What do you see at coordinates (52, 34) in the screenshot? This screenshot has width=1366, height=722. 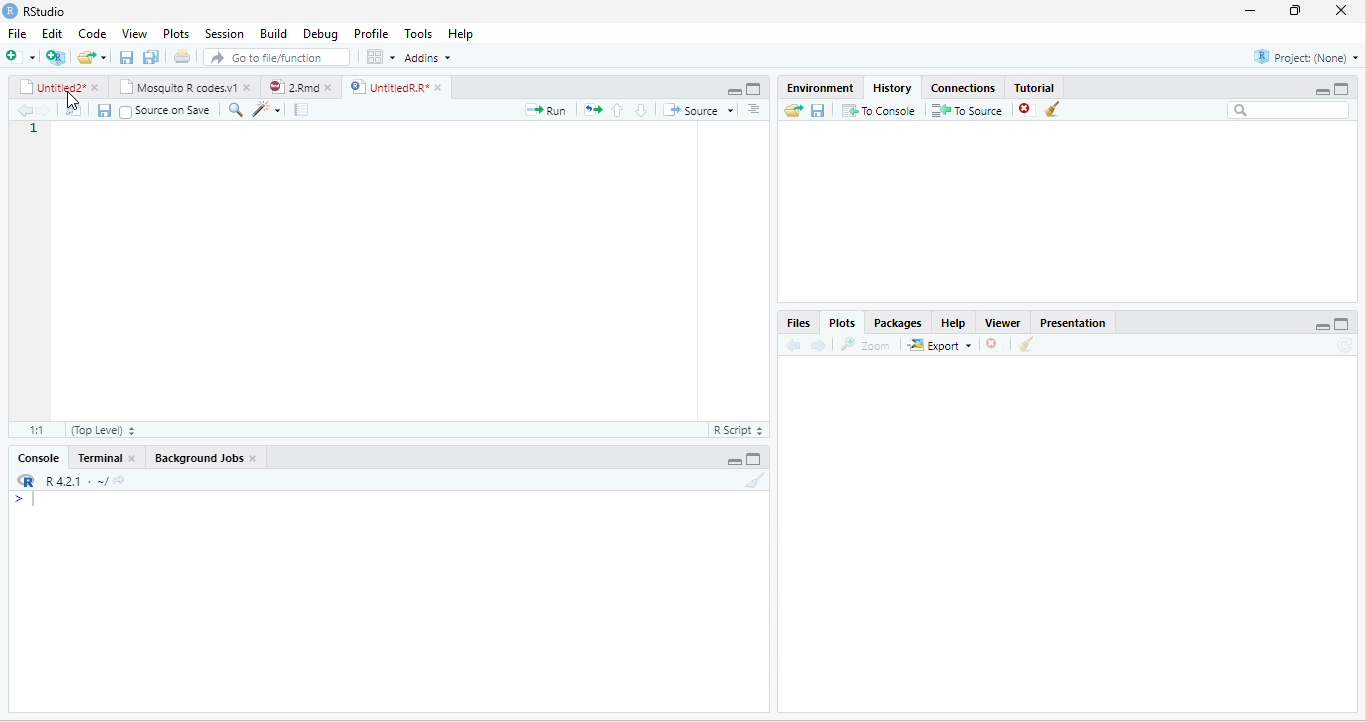 I see `edit` at bounding box center [52, 34].